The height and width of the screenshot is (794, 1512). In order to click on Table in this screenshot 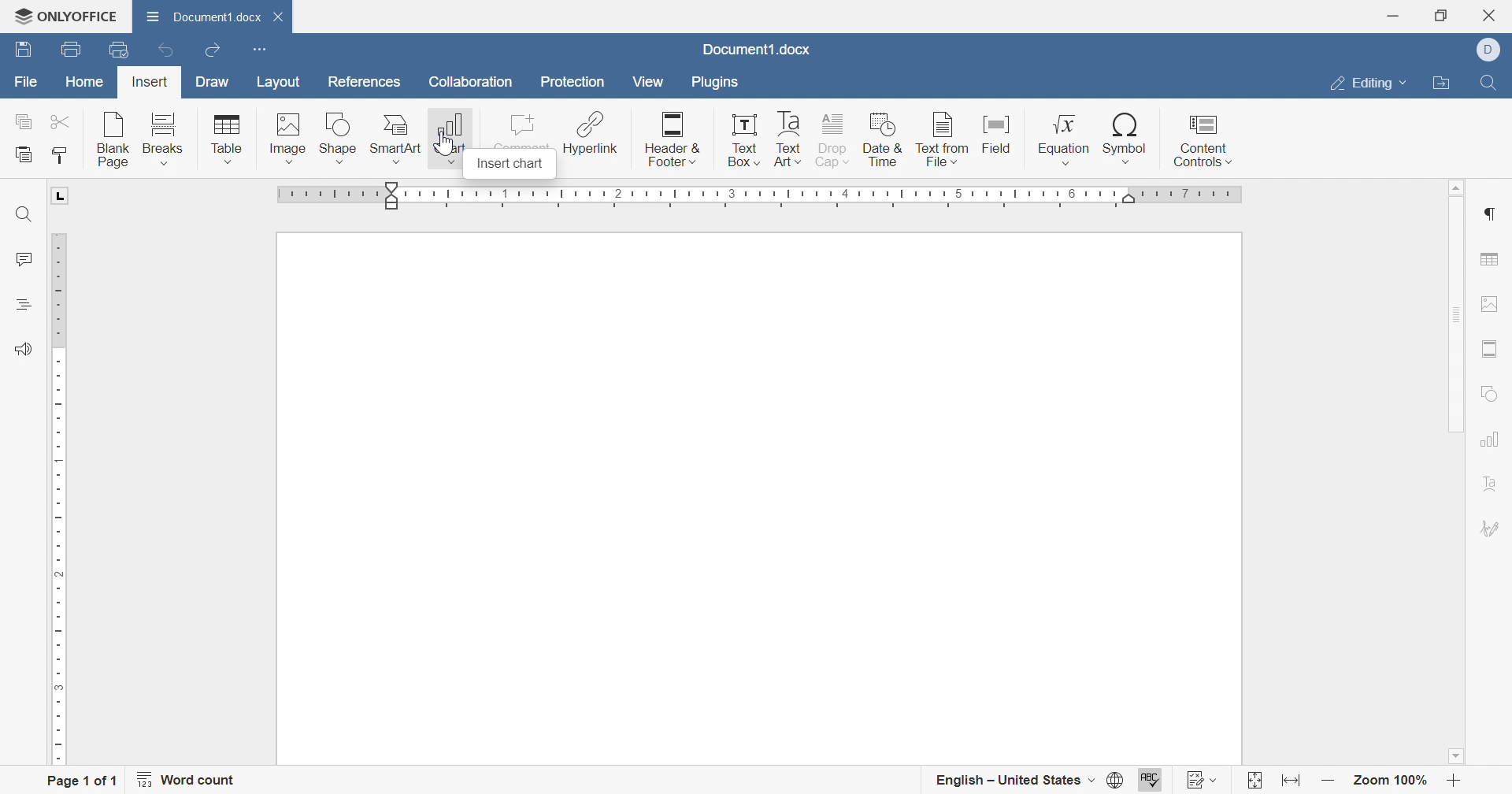, I will do `click(227, 138)`.